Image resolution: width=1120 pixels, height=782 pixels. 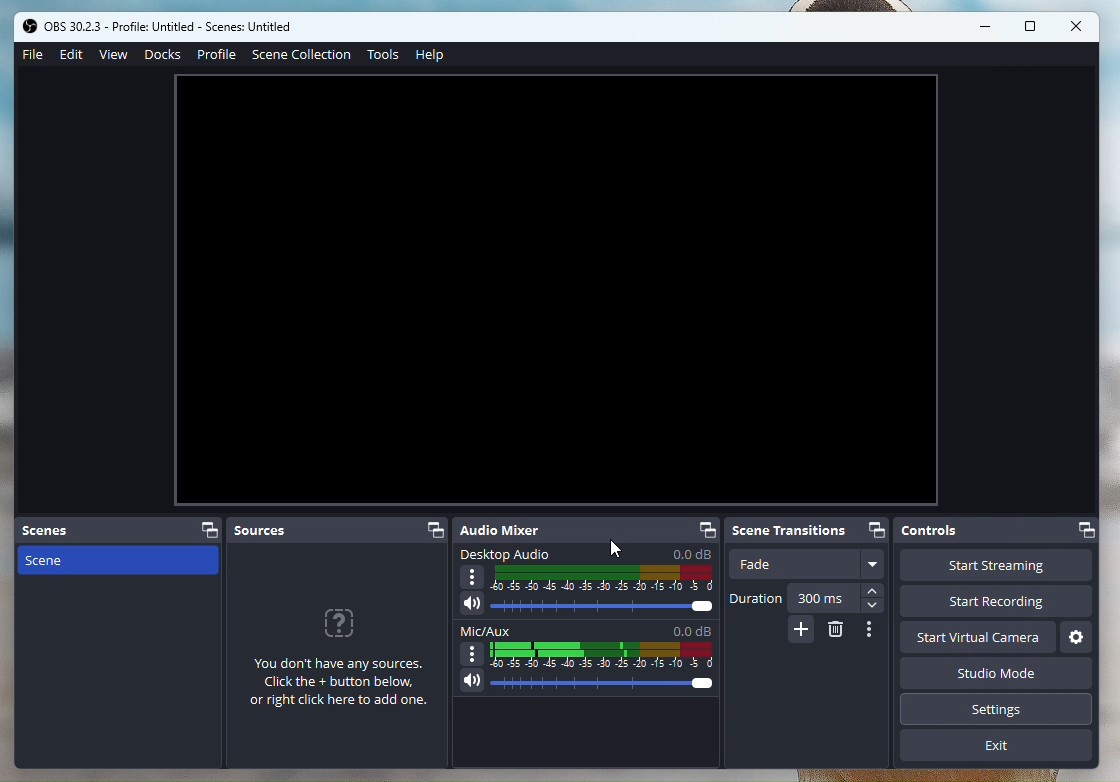 I want to click on Exit, so click(x=997, y=744).